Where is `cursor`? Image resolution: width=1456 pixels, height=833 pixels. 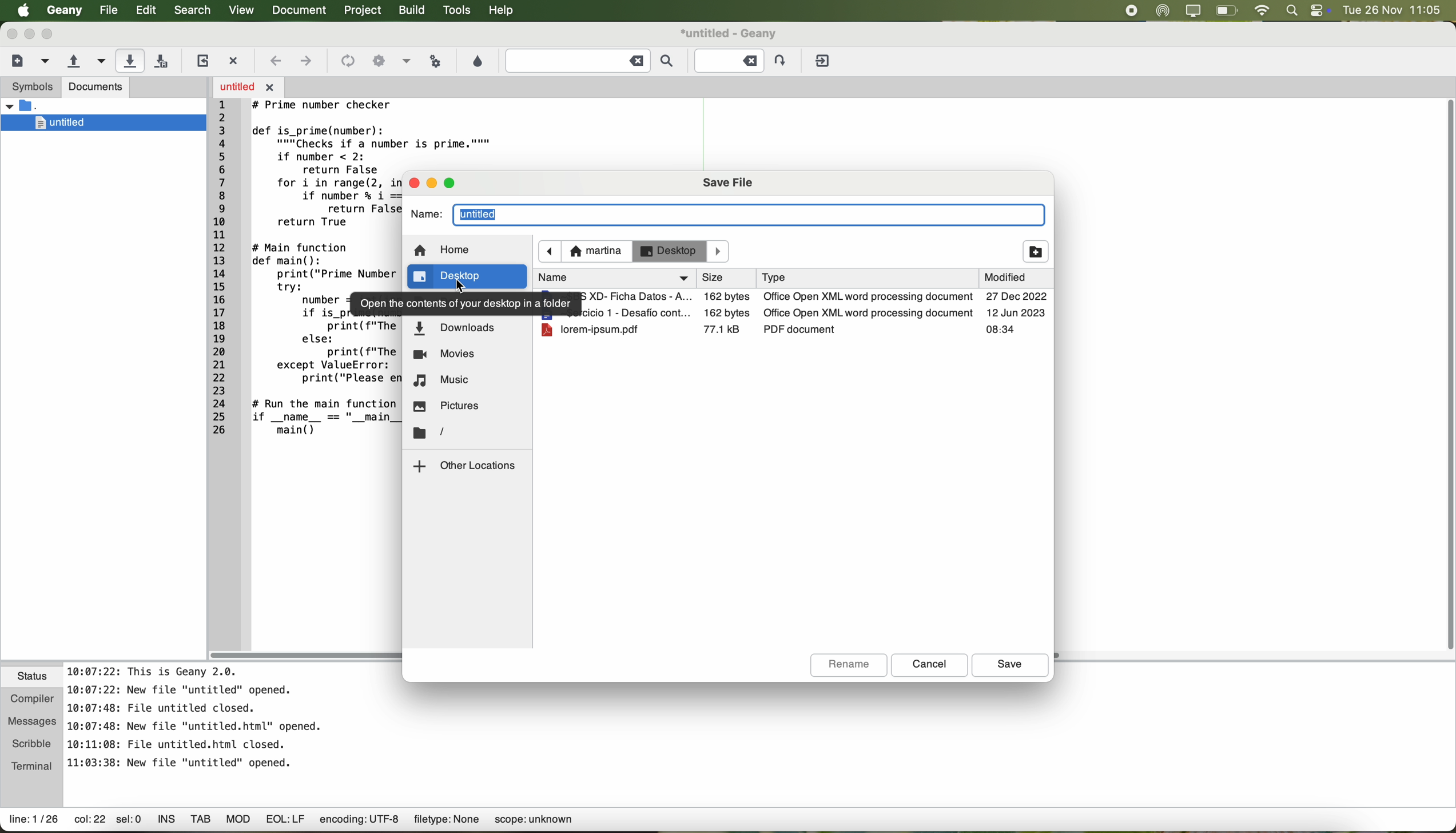
cursor is located at coordinates (468, 283).